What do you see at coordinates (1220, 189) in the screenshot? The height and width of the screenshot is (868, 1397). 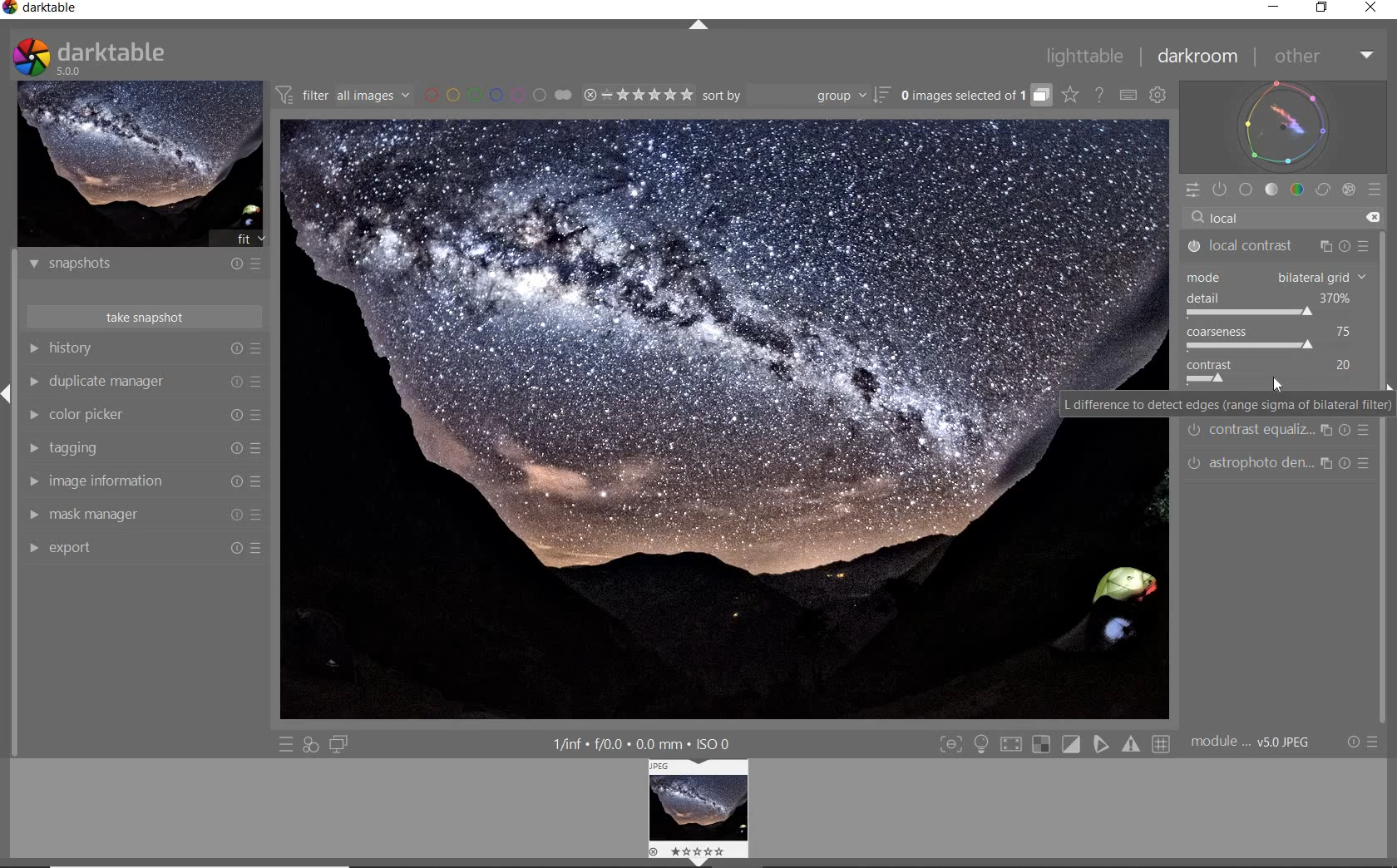 I see `SHOW ONLY ACTIVE MODULES` at bounding box center [1220, 189].